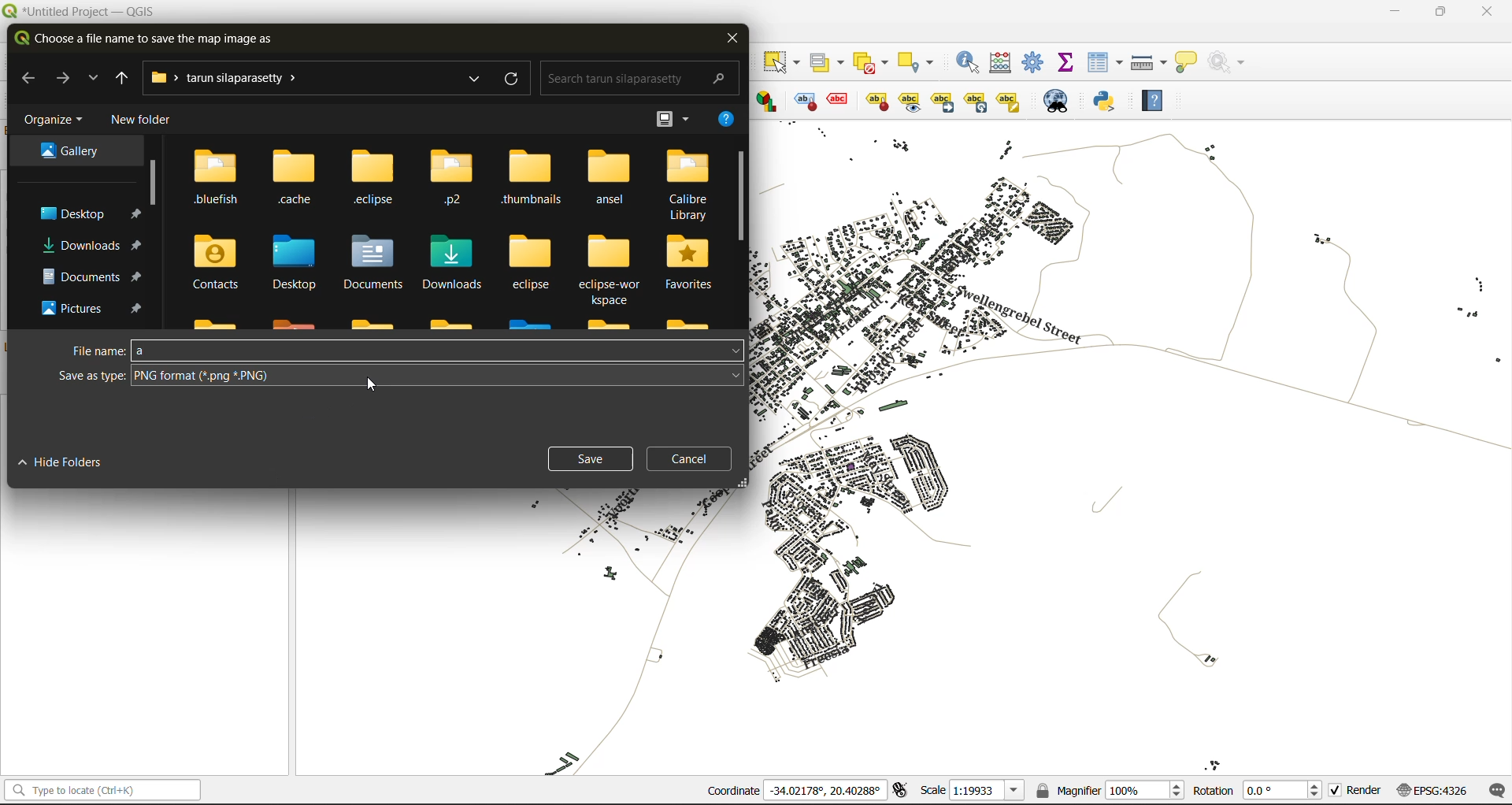  What do you see at coordinates (840, 101) in the screenshot?
I see `pin/unpin lable and diagram` at bounding box center [840, 101].